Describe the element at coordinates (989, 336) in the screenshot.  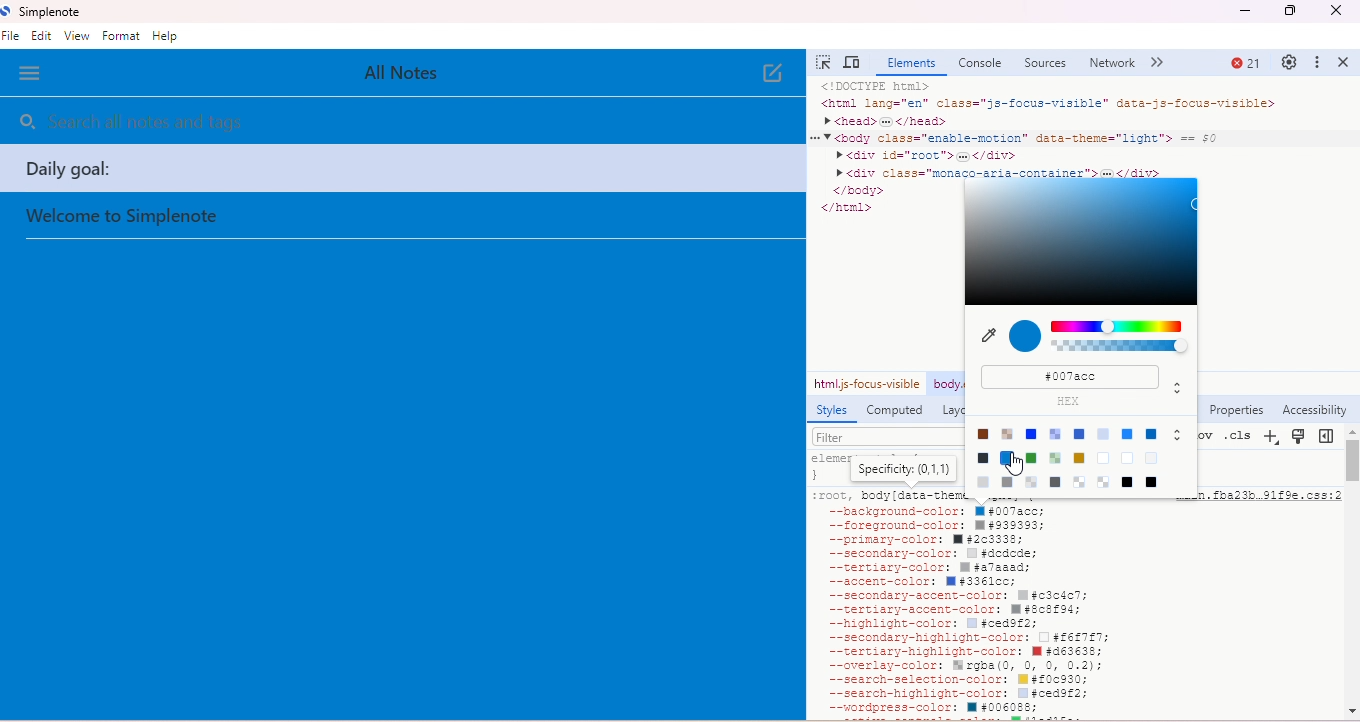
I see `pick color` at that location.